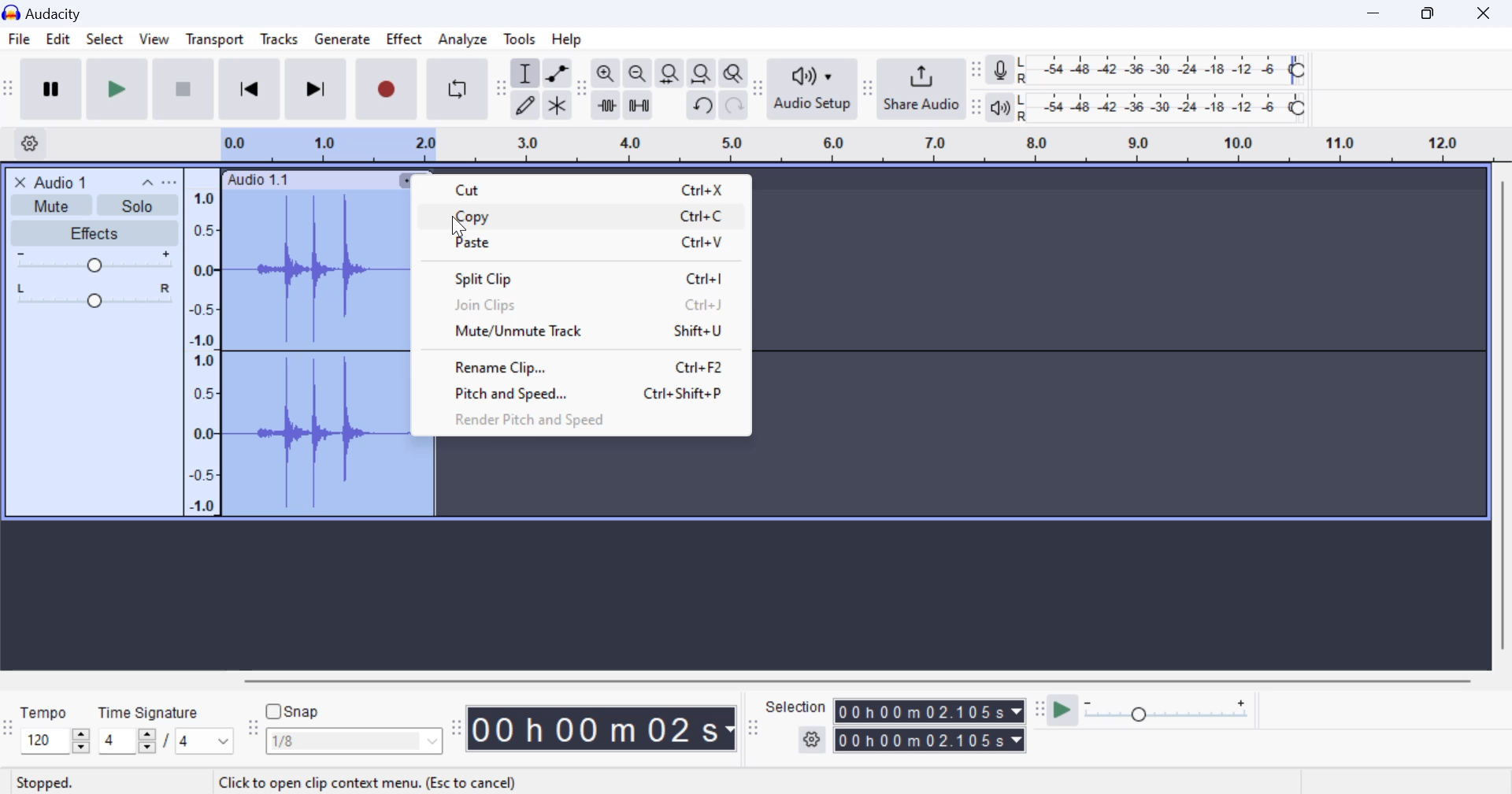  What do you see at coordinates (527, 76) in the screenshot?
I see `selection tool` at bounding box center [527, 76].